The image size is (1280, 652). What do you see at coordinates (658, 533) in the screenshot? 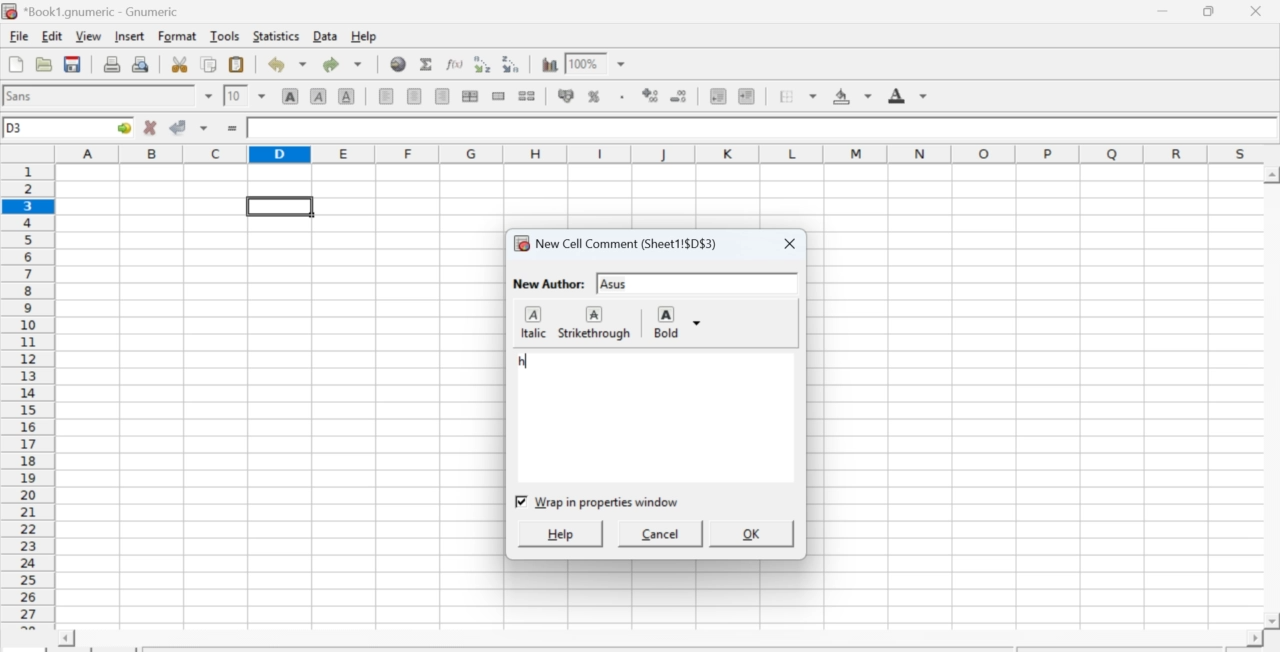
I see `cancel` at bounding box center [658, 533].